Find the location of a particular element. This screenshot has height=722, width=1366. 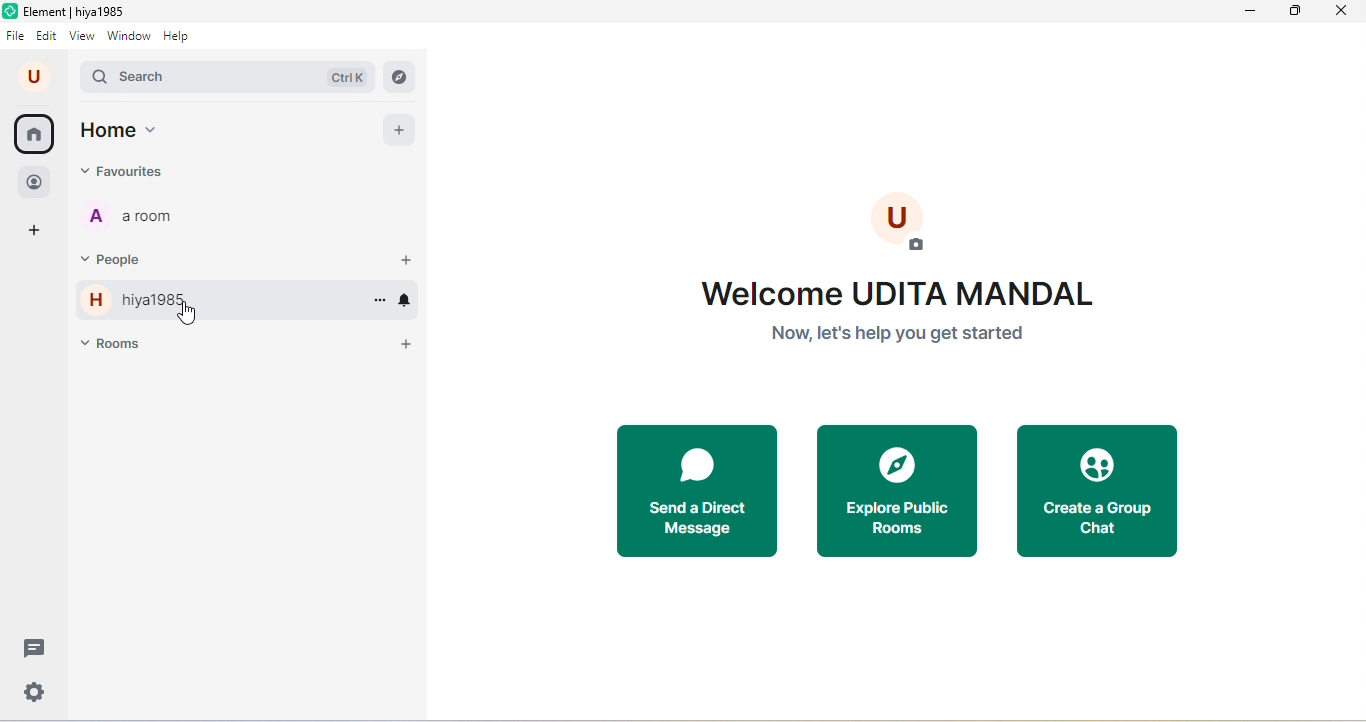

window is located at coordinates (130, 37).